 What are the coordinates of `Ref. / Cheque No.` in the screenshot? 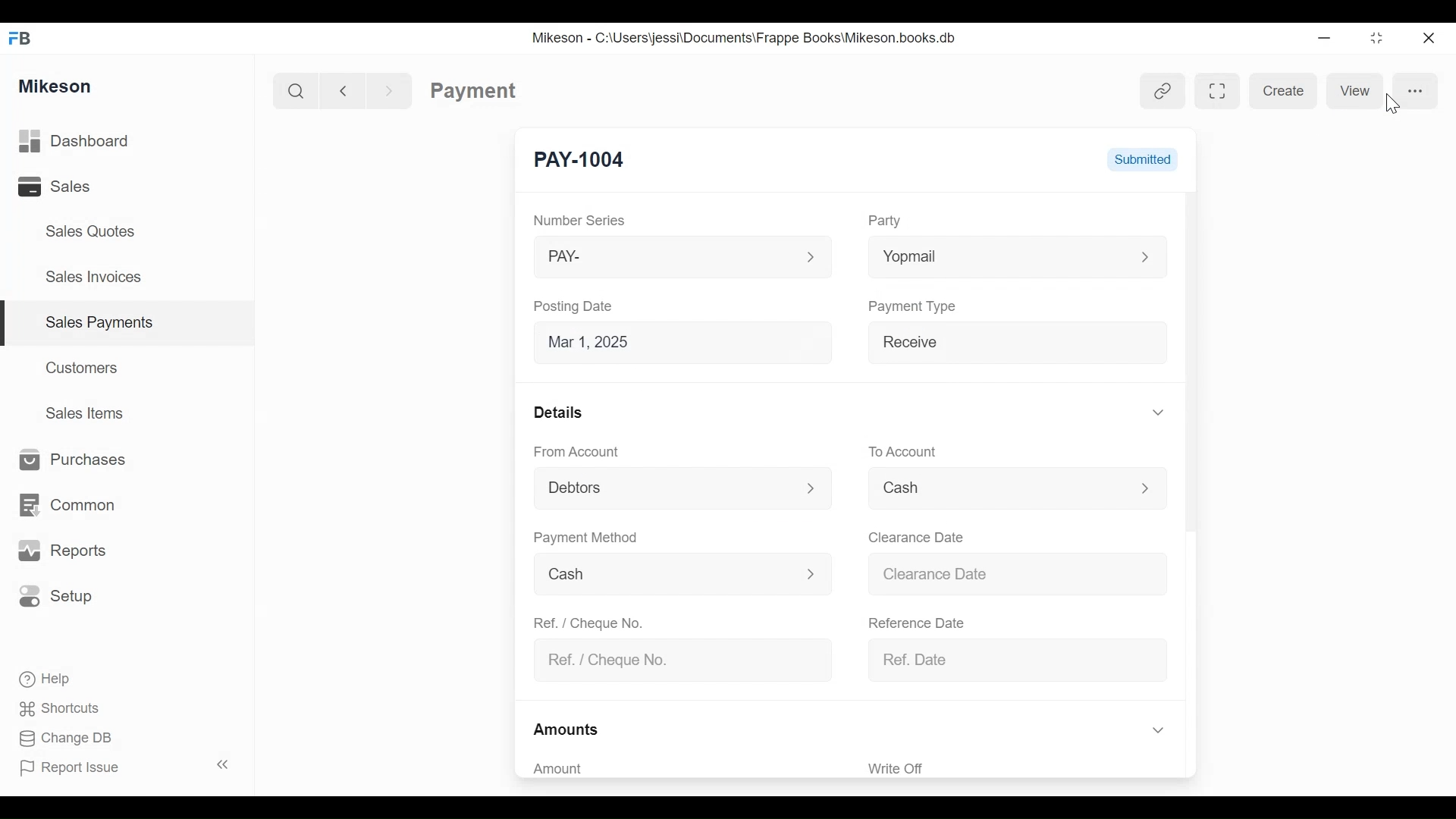 It's located at (595, 622).